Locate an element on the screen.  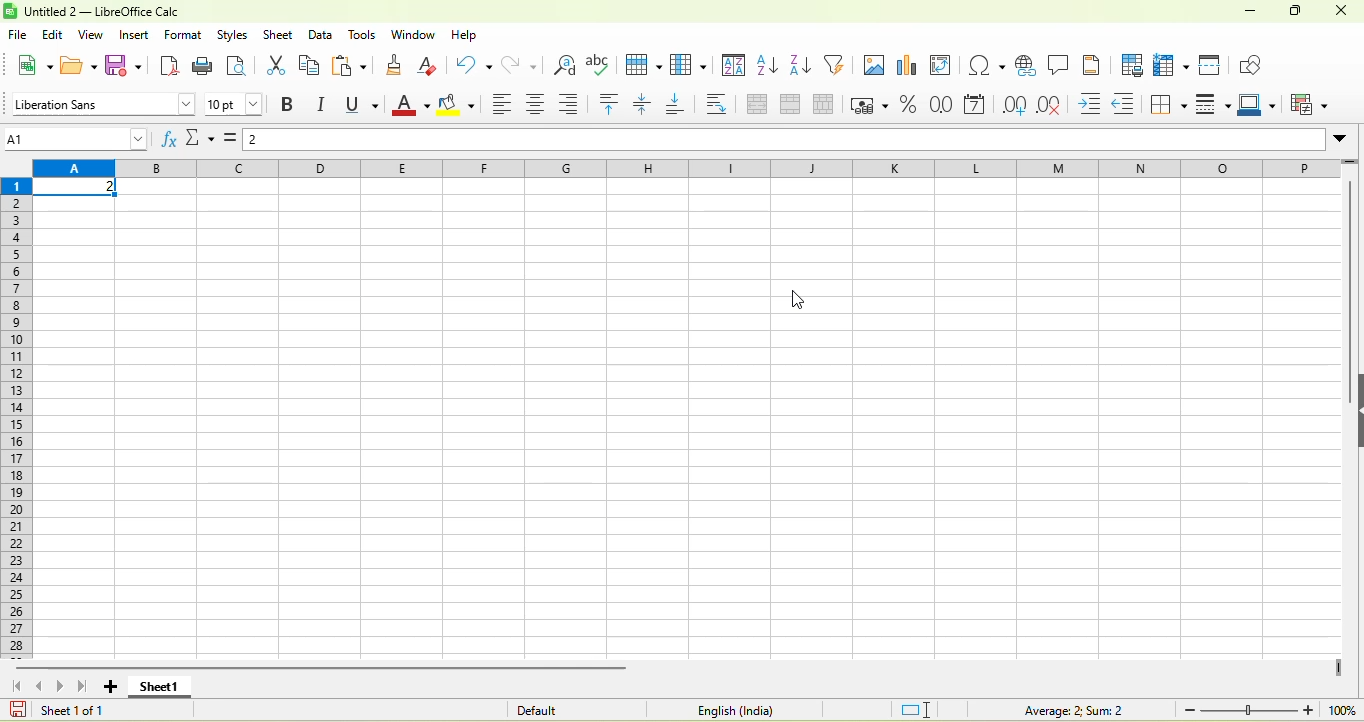
height is located at coordinates (1355, 412).